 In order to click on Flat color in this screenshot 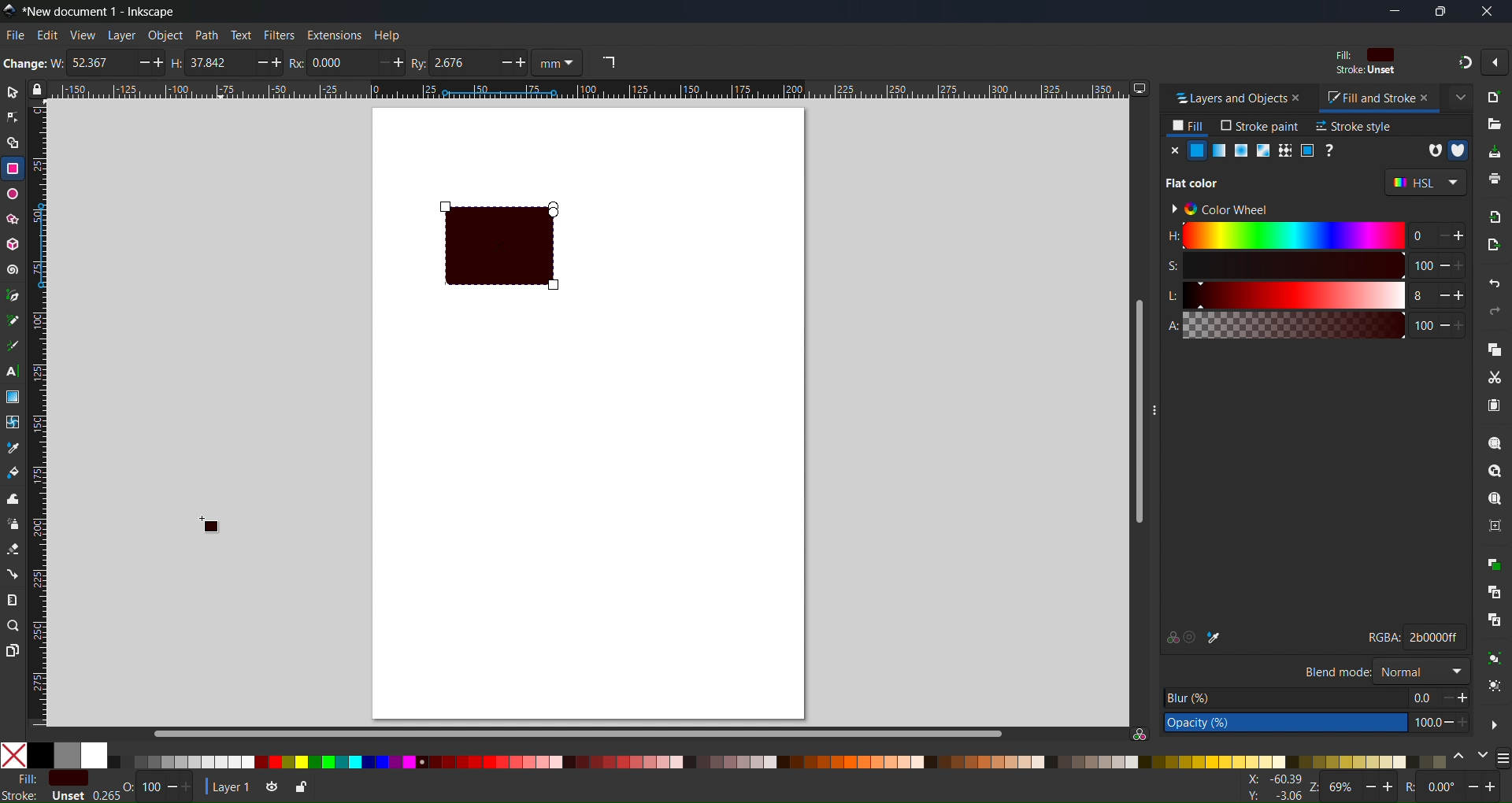, I will do `click(68, 778)`.